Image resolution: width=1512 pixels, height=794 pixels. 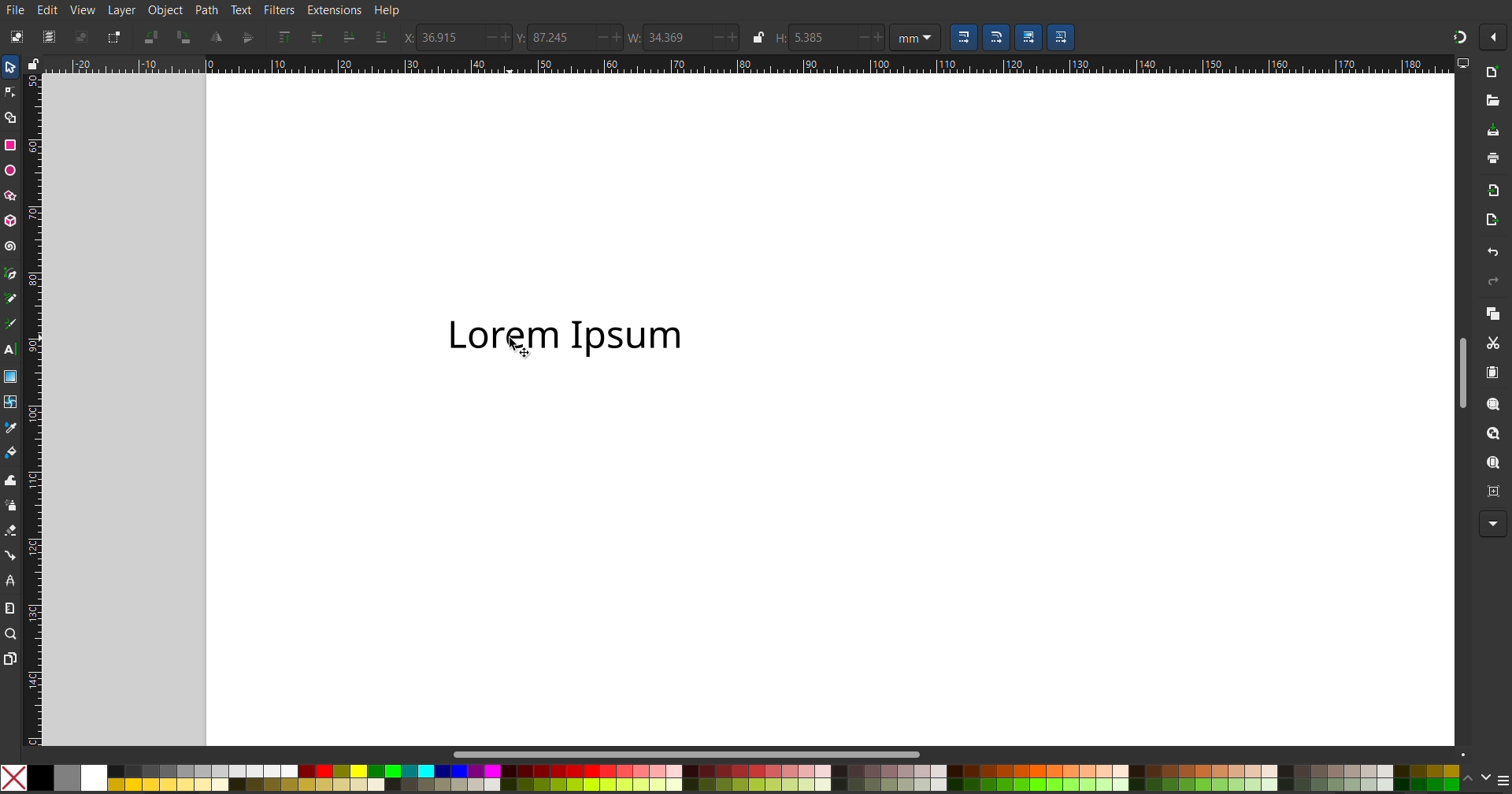 I want to click on X Coords, so click(x=459, y=39).